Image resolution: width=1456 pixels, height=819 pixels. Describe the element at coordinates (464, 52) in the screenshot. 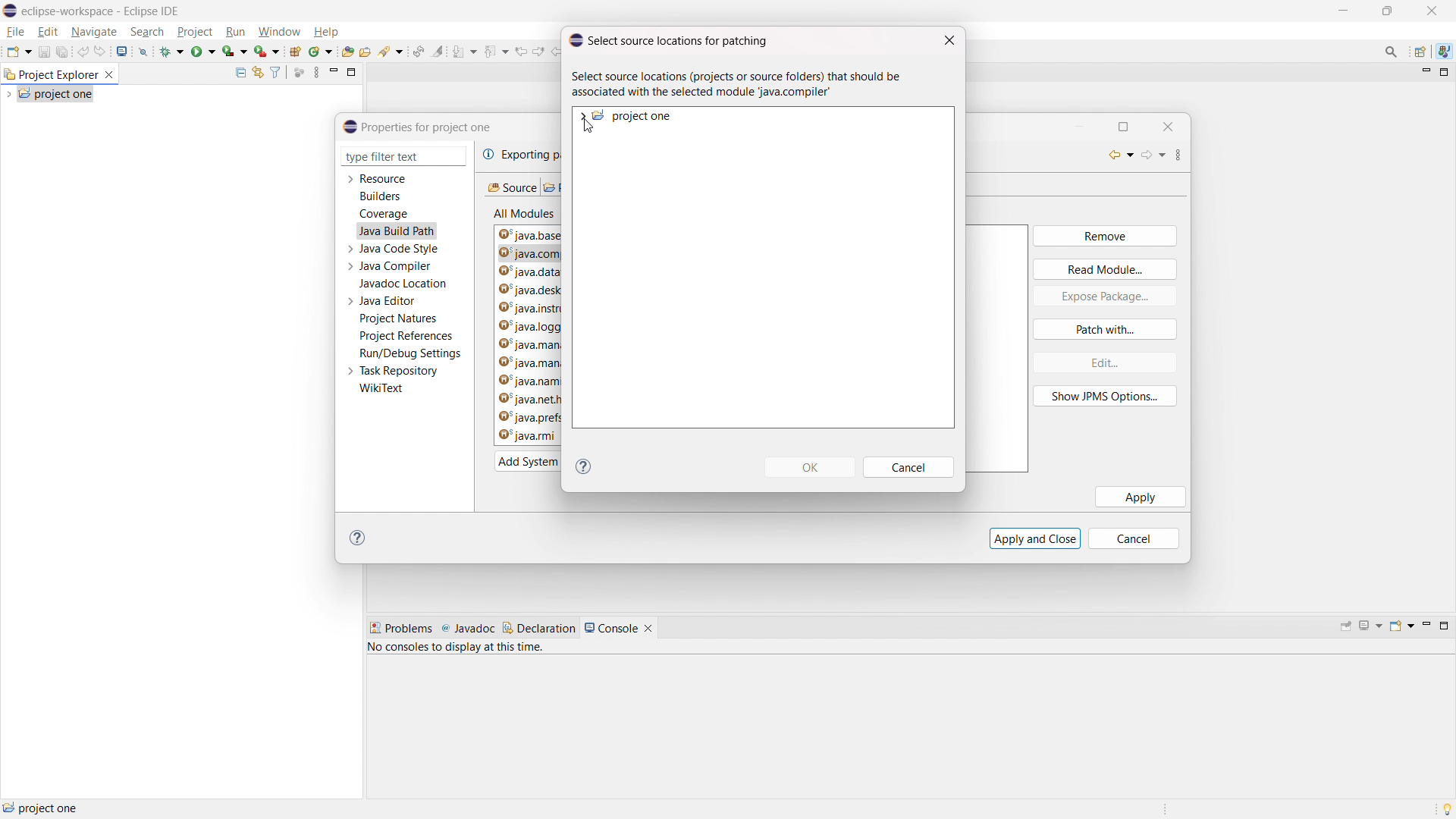

I see `next annotation` at that location.